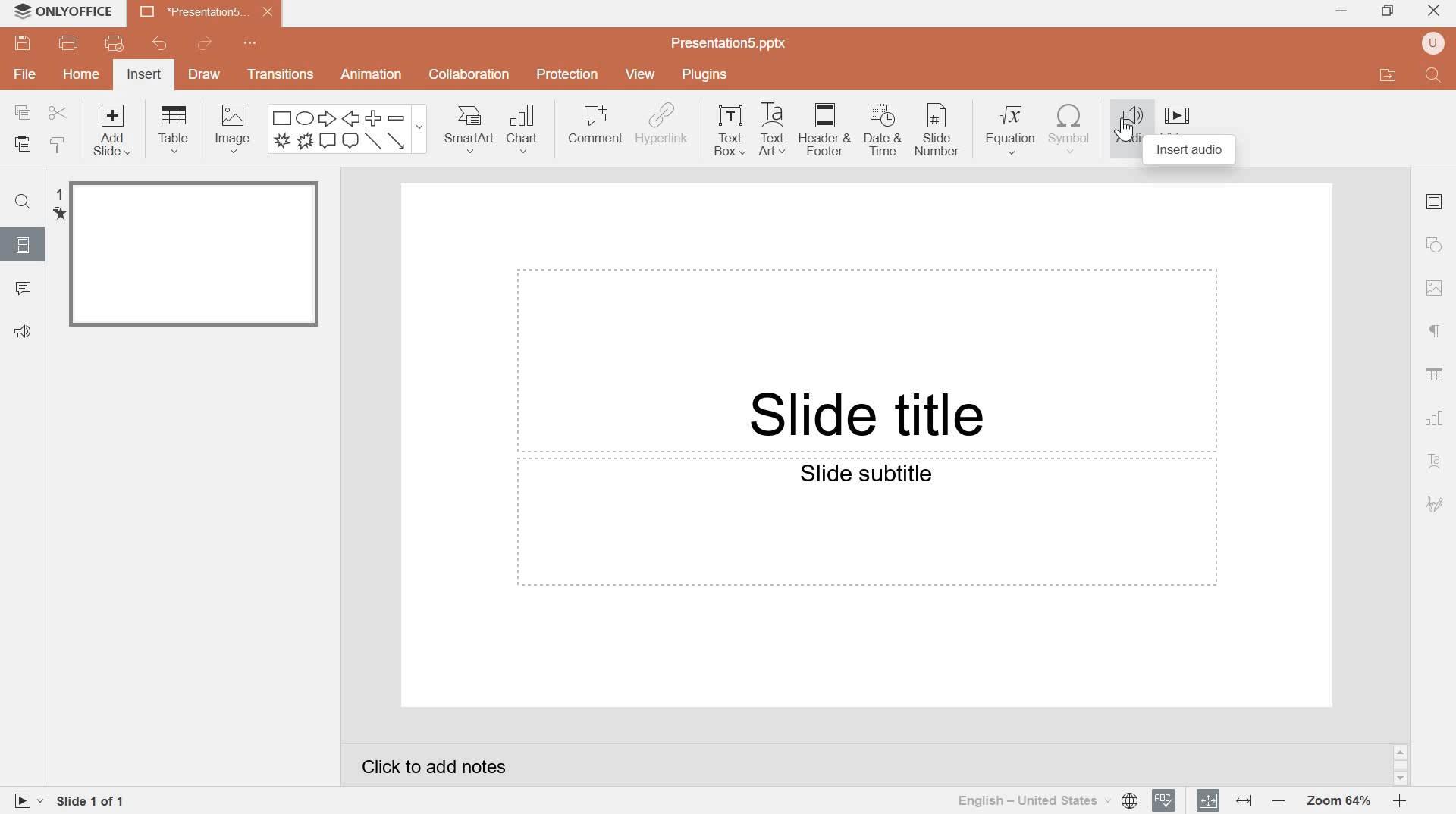 This screenshot has width=1456, height=814. I want to click on Home, so click(82, 73).